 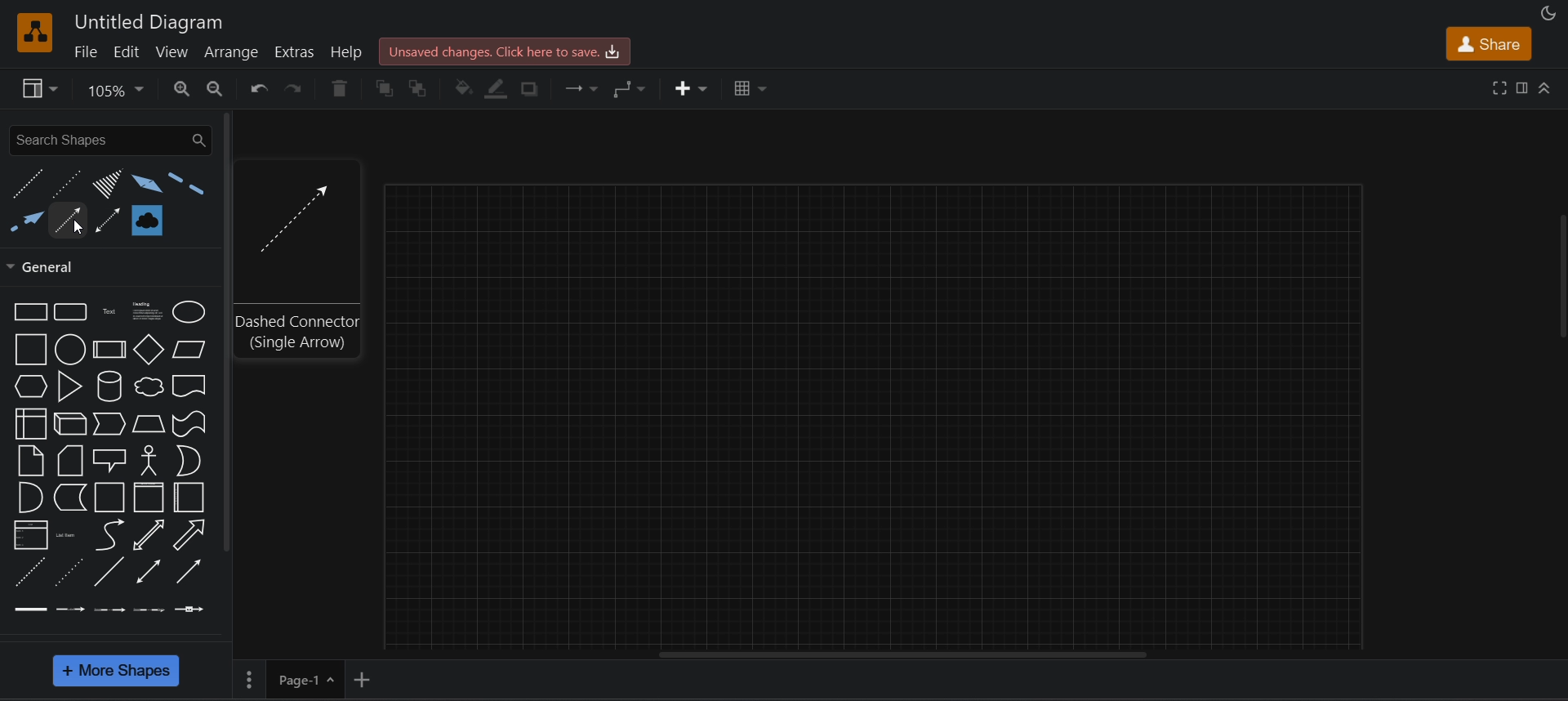 What do you see at coordinates (289, 677) in the screenshot?
I see `page 1` at bounding box center [289, 677].